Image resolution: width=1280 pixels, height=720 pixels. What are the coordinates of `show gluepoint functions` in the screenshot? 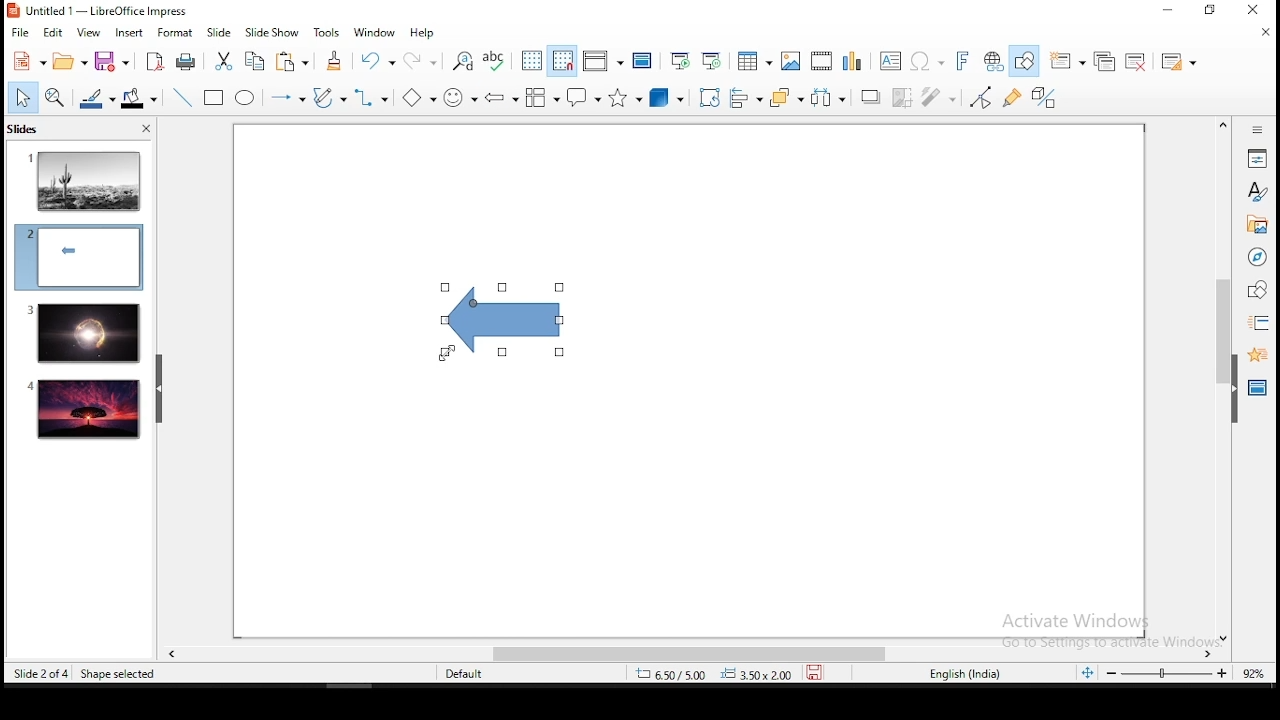 It's located at (1017, 97).